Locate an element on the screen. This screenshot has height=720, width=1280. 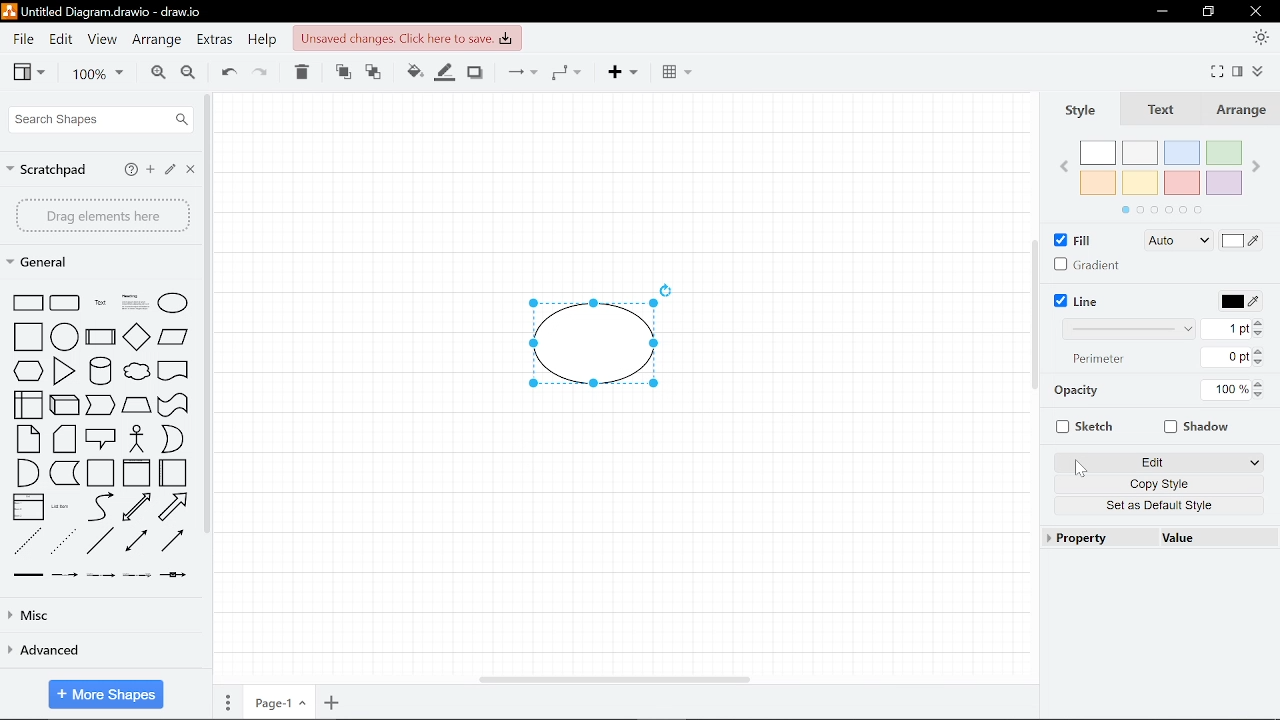
diamond is located at coordinates (136, 336).